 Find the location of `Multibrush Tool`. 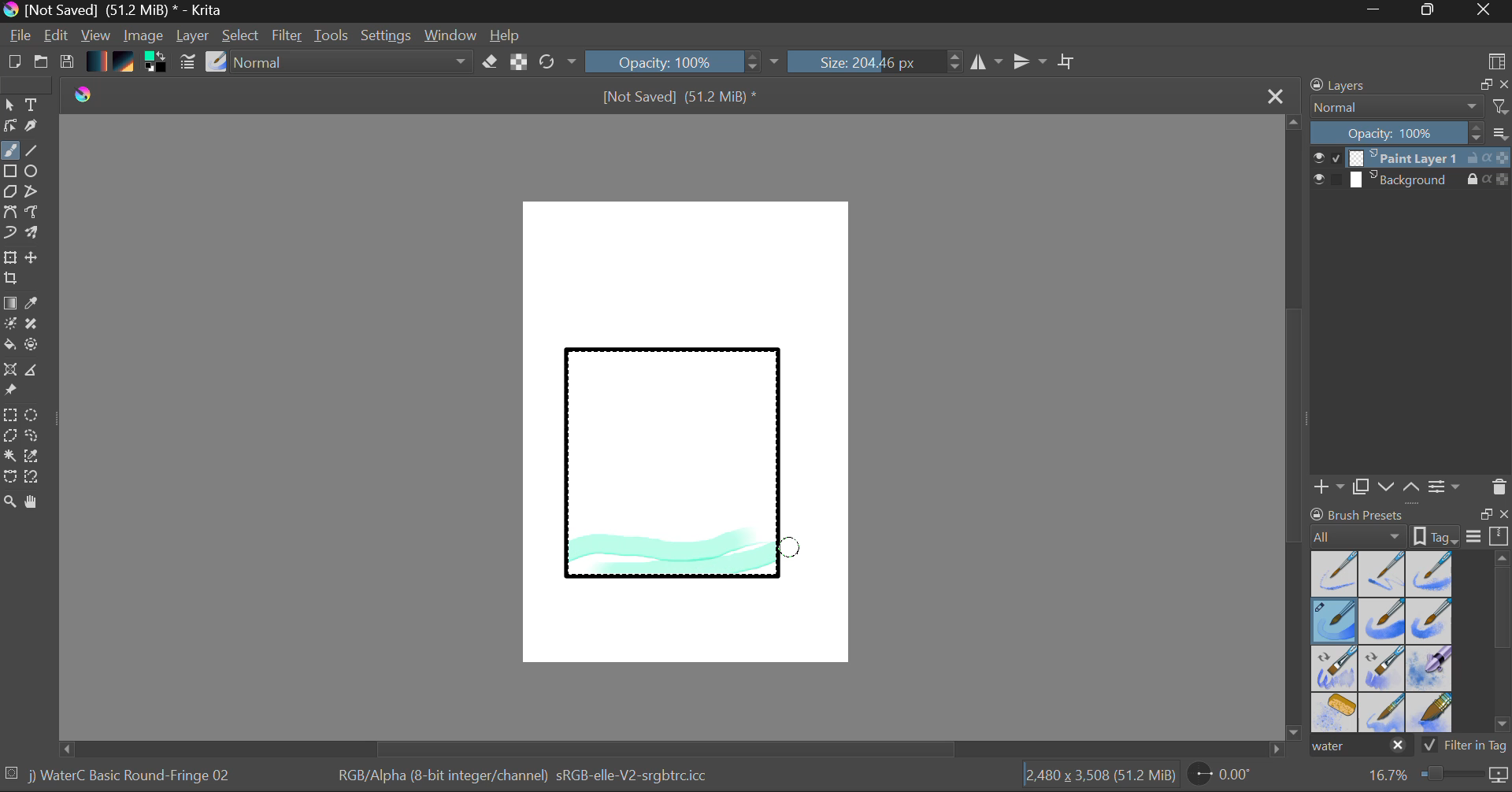

Multibrush Tool is located at coordinates (33, 235).